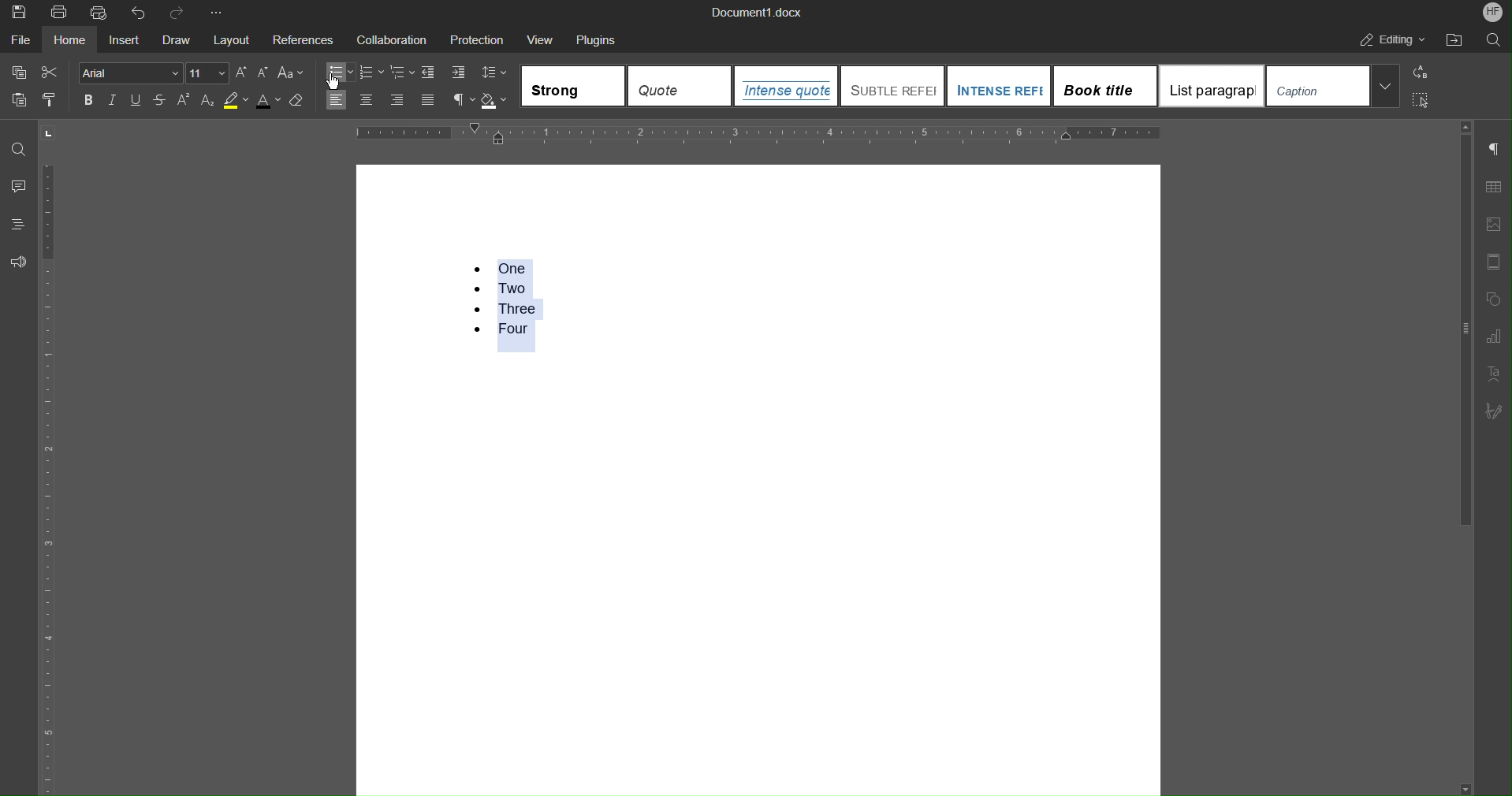 Image resolution: width=1512 pixels, height=796 pixels. Describe the element at coordinates (136, 100) in the screenshot. I see `Underline` at that location.